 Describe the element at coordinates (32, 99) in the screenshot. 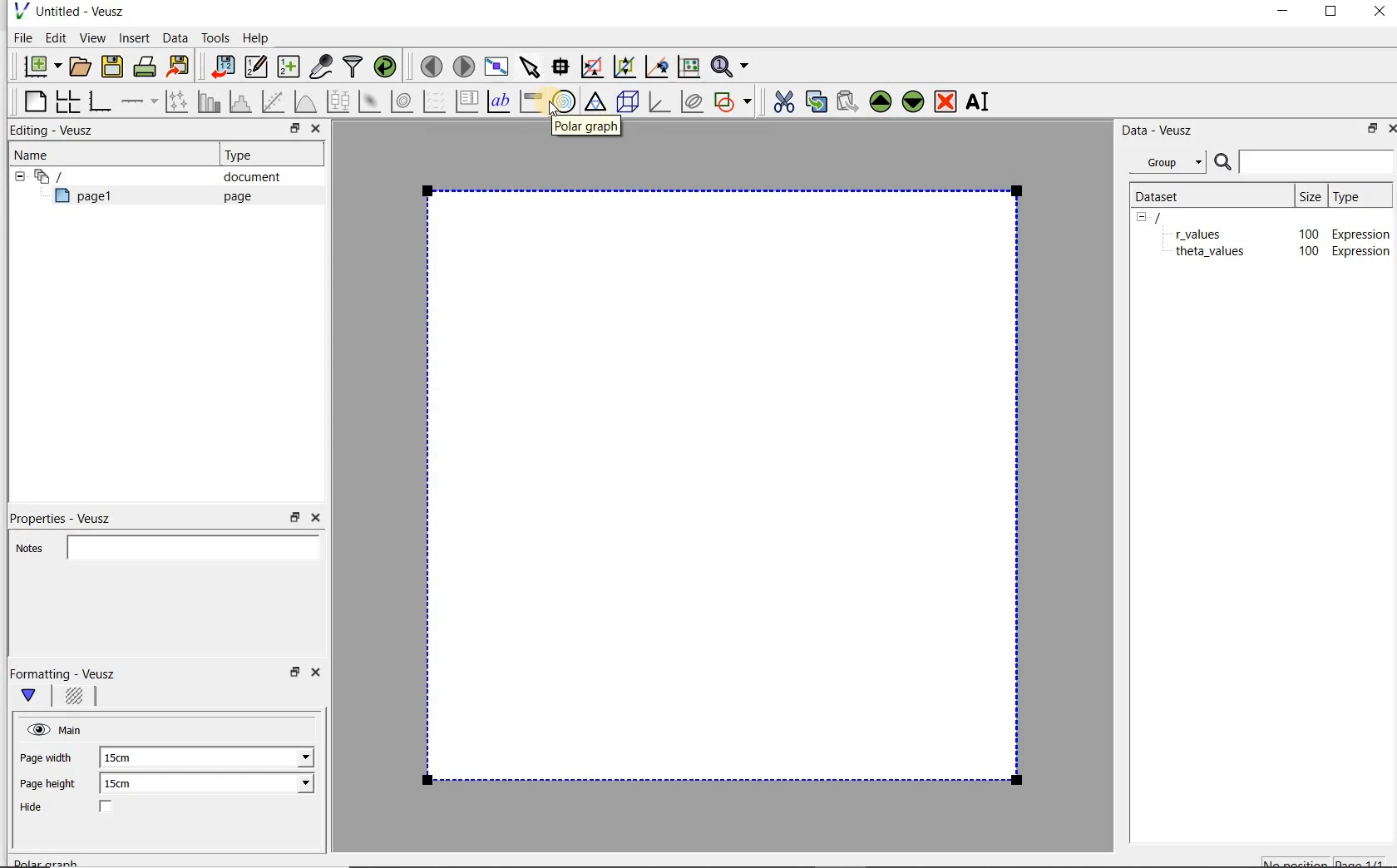

I see `blank page` at that location.